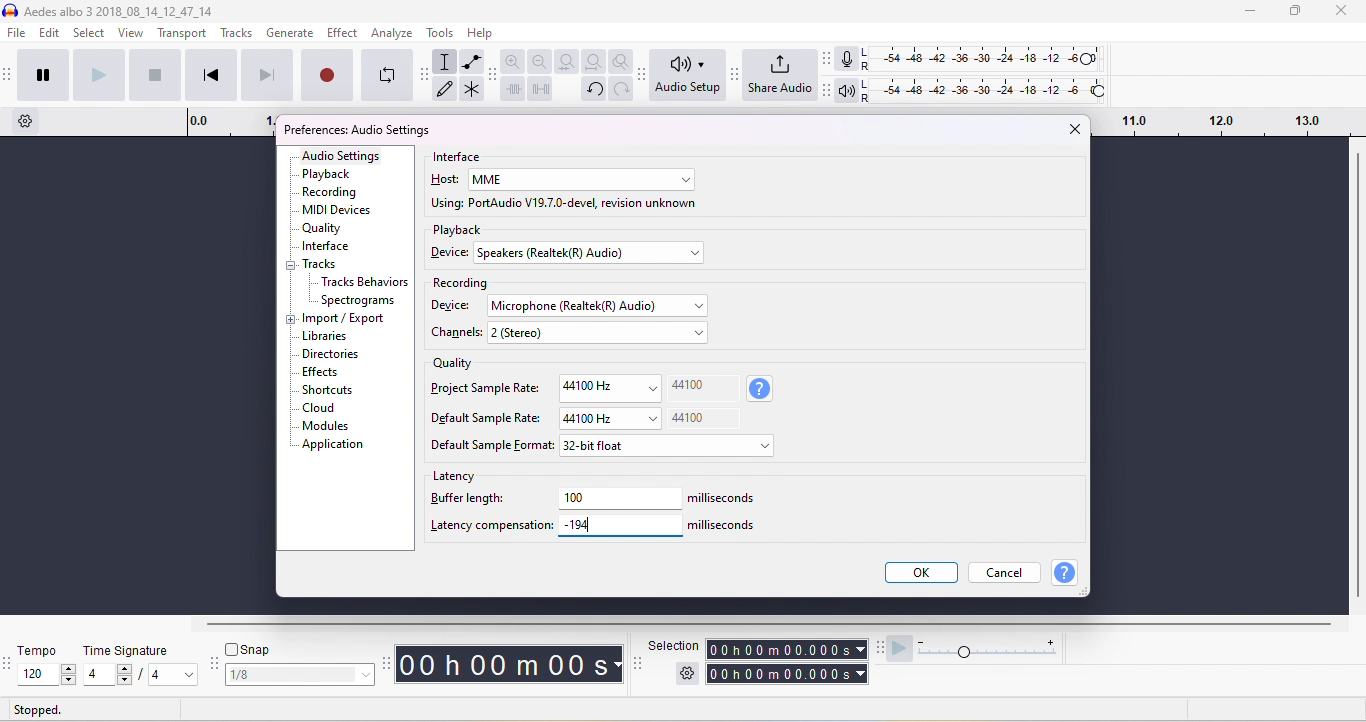 This screenshot has width=1366, height=722. What do you see at coordinates (326, 336) in the screenshot?
I see `libraries` at bounding box center [326, 336].